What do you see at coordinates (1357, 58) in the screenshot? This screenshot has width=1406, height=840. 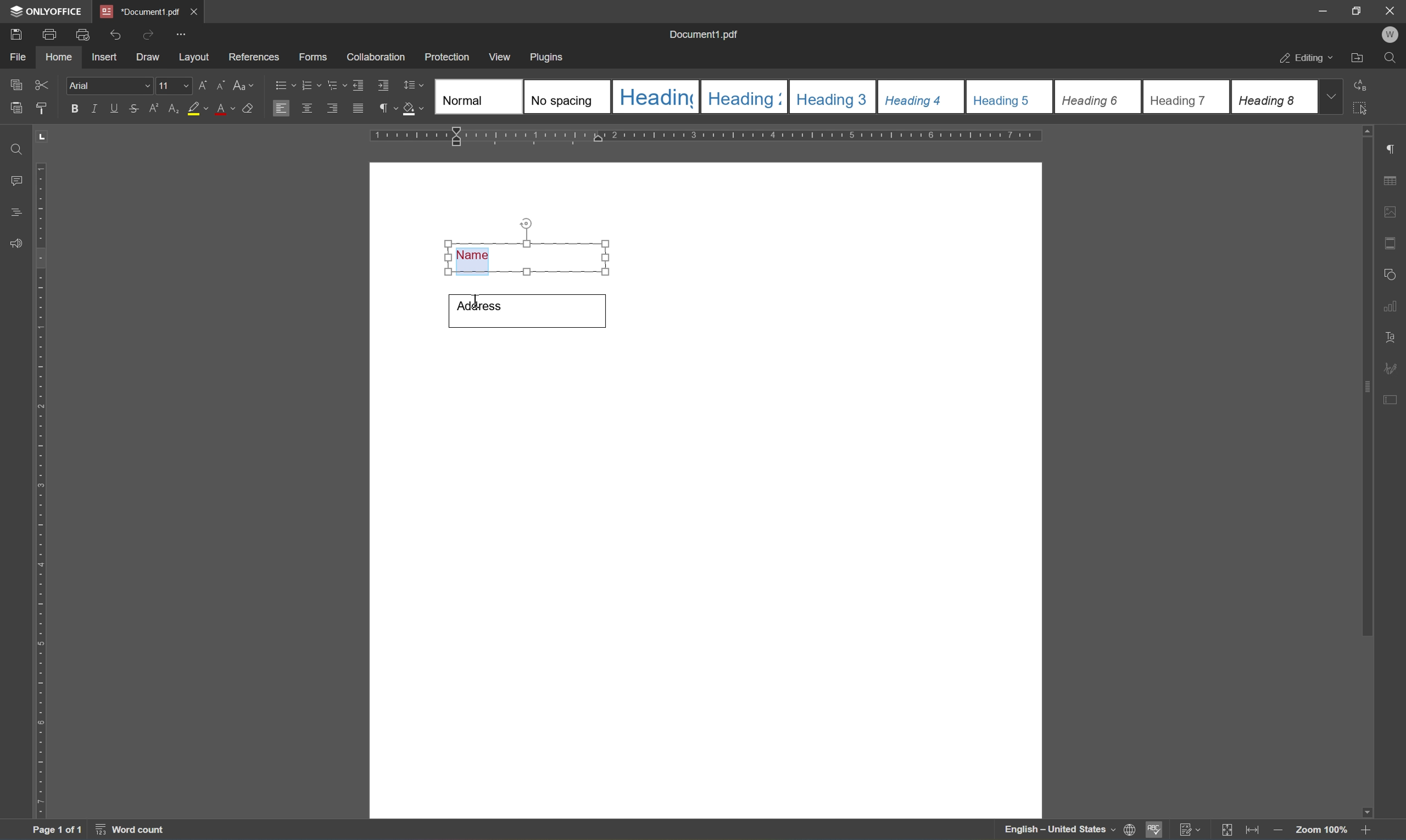 I see `open file location` at bounding box center [1357, 58].